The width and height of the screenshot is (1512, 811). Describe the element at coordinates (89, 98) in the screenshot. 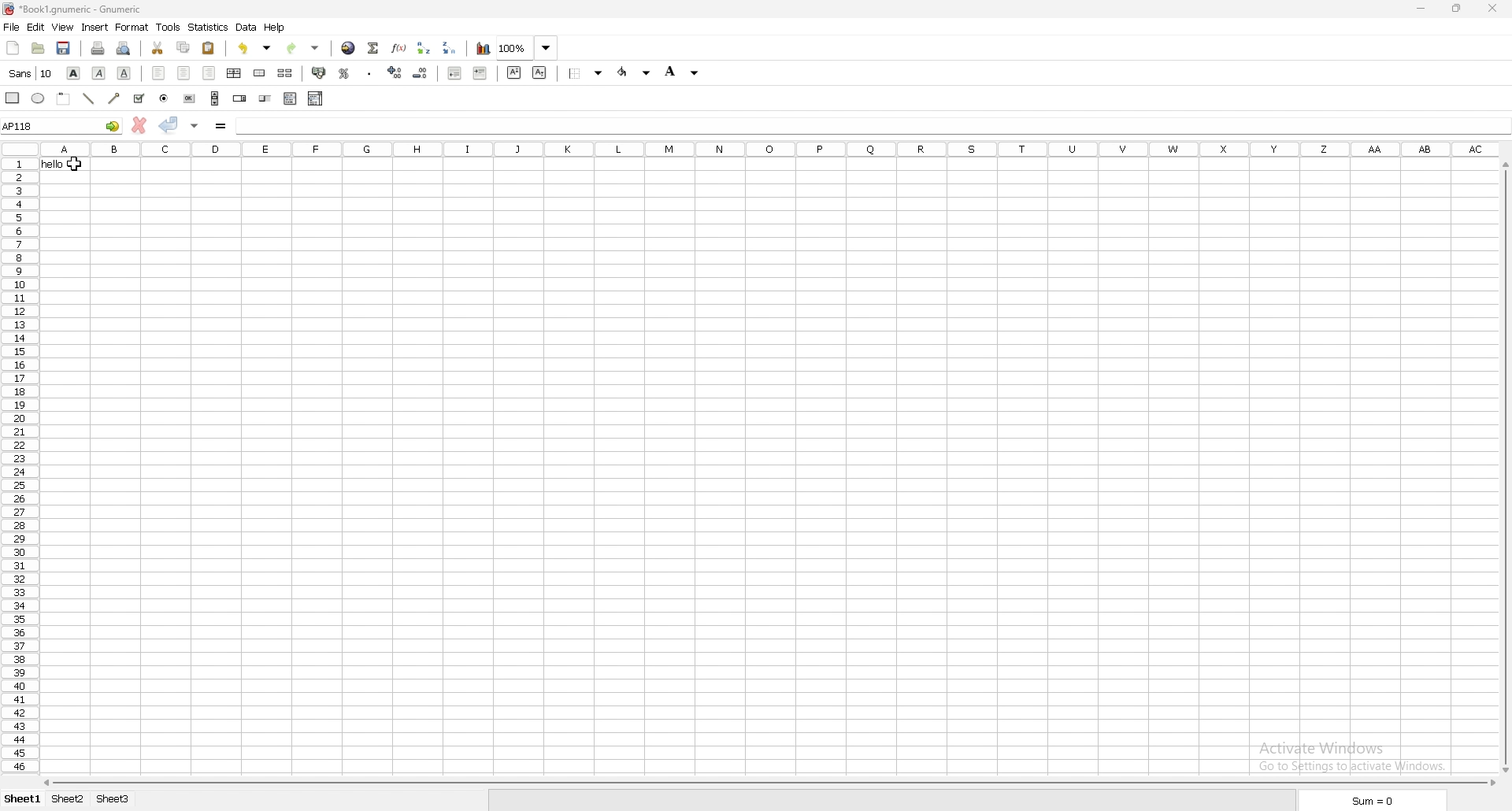

I see `line` at that location.